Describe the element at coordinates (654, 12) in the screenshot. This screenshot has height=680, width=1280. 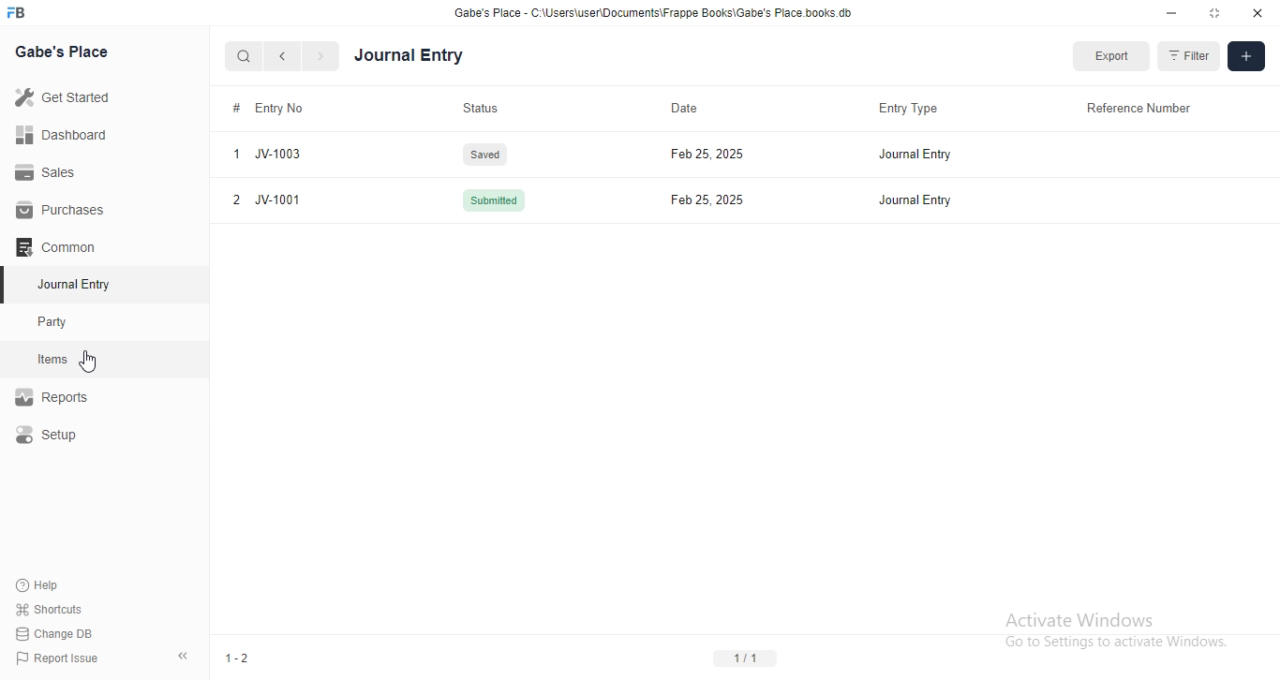
I see `‘Gabe's Place - C \Users\usenDocuments\Frappe Books\Gabe's Place books db` at that location.